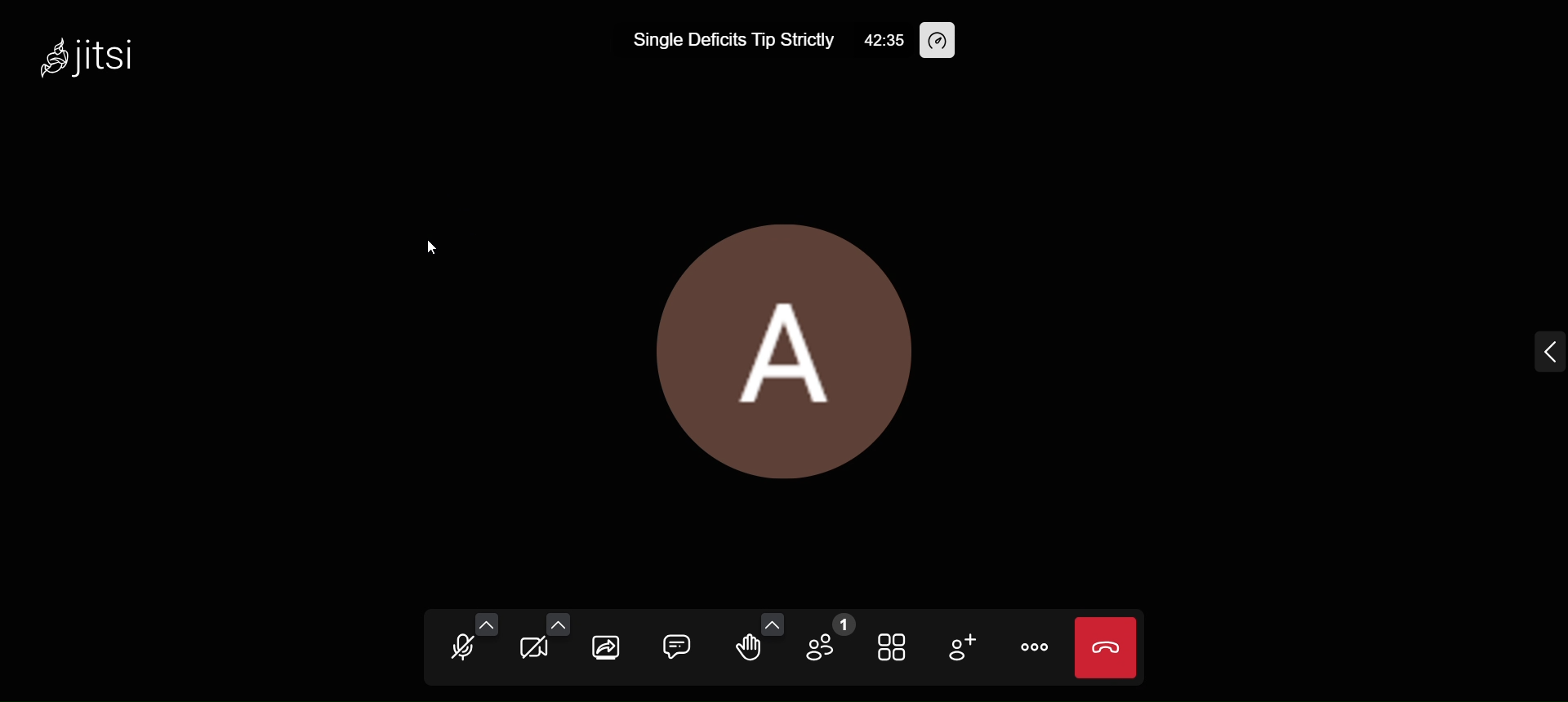  Describe the element at coordinates (1106, 646) in the screenshot. I see `End Meeting` at that location.